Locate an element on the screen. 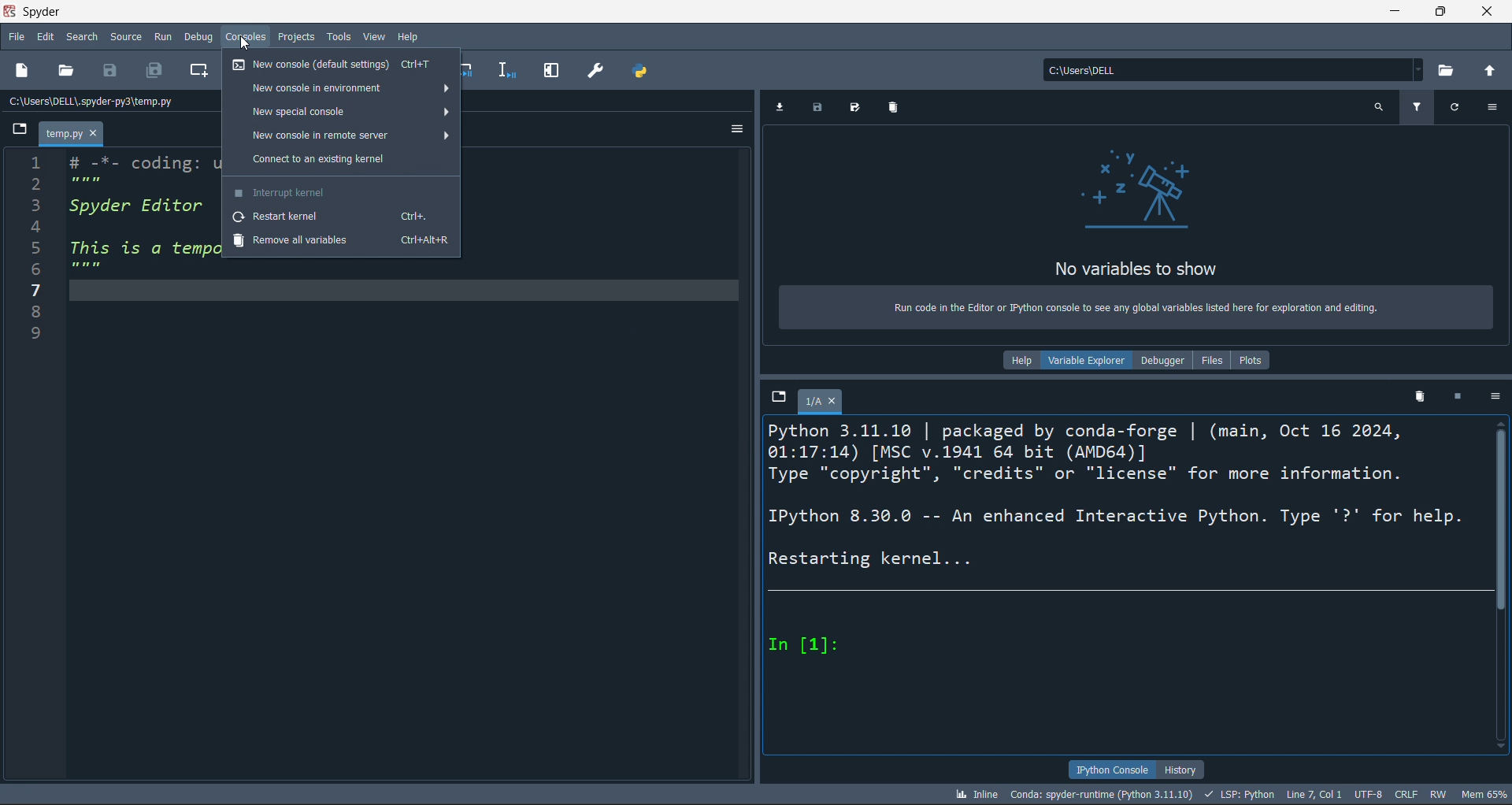 The width and height of the screenshot is (1512, 805). minimize is located at coordinates (1394, 12).